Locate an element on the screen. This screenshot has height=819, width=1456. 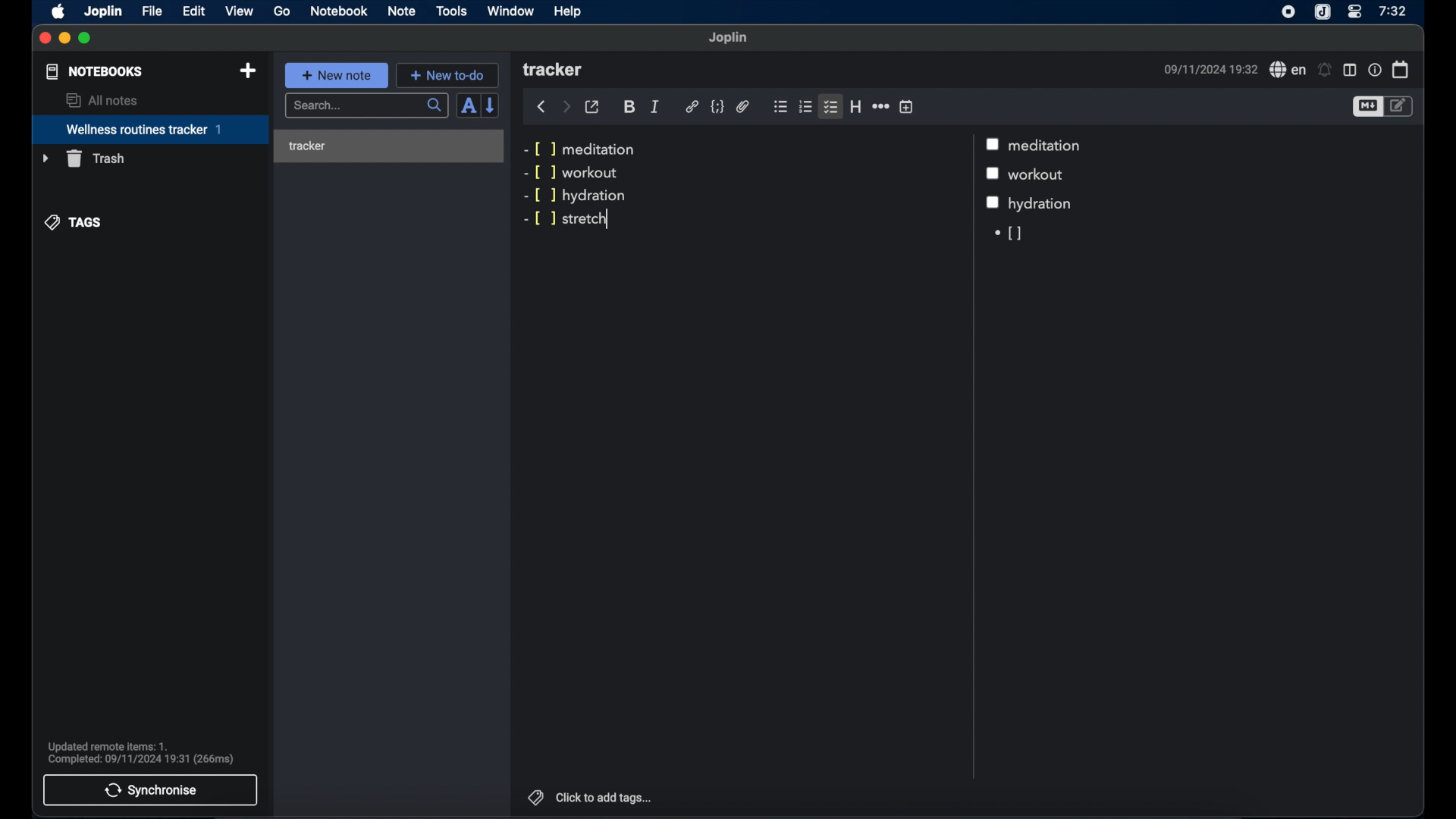
checkbox is located at coordinates (996, 174).